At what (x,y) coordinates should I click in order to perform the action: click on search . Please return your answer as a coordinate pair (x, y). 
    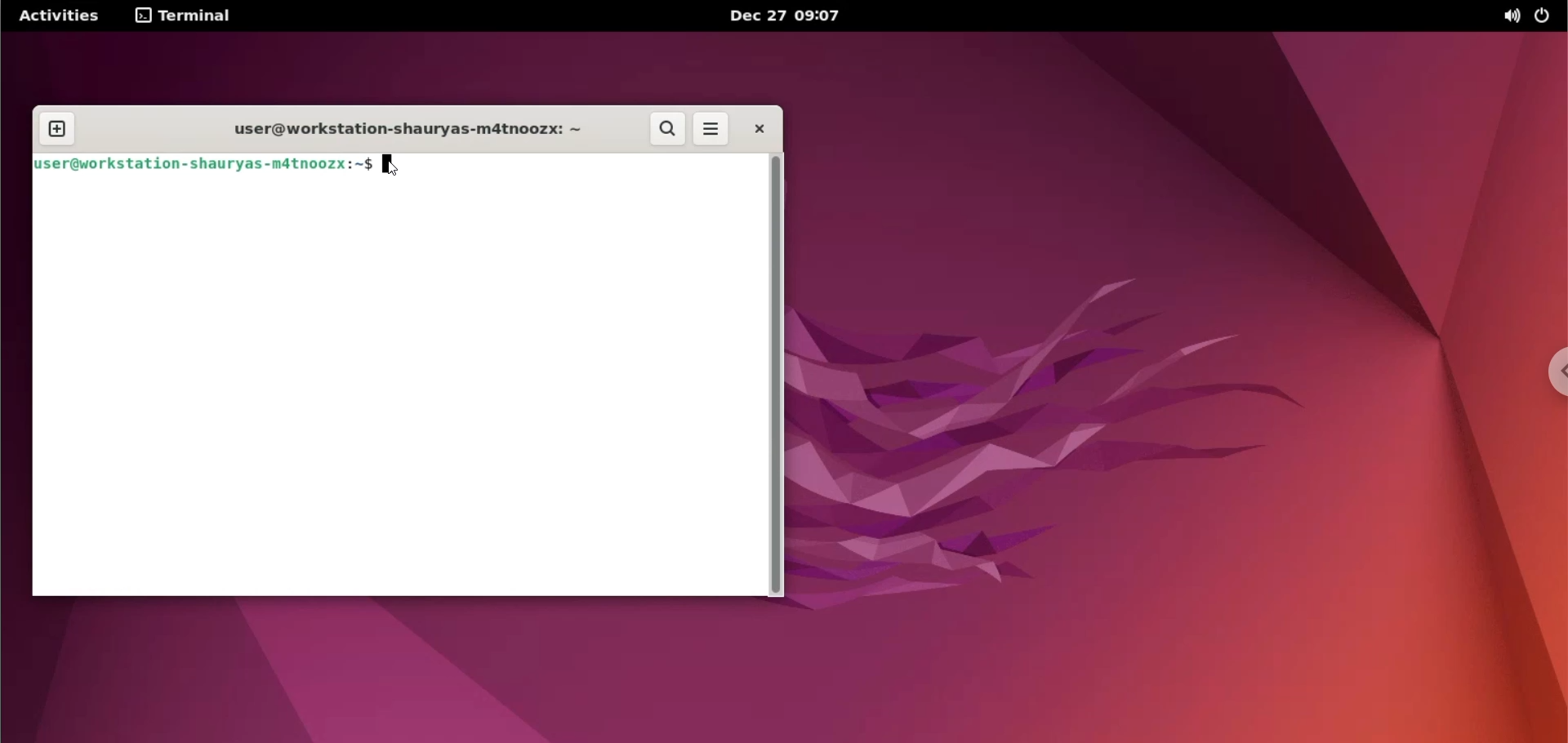
    Looking at the image, I should click on (667, 128).